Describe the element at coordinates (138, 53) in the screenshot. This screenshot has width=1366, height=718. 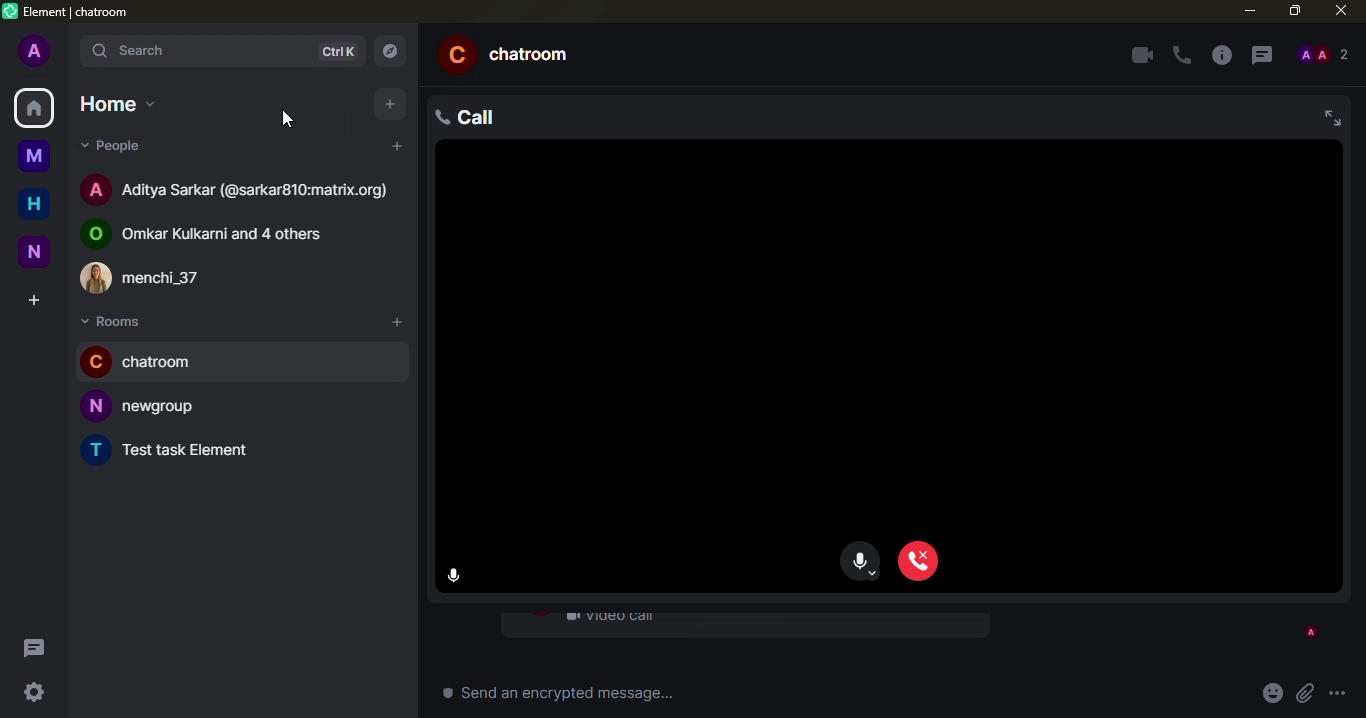
I see `search` at that location.